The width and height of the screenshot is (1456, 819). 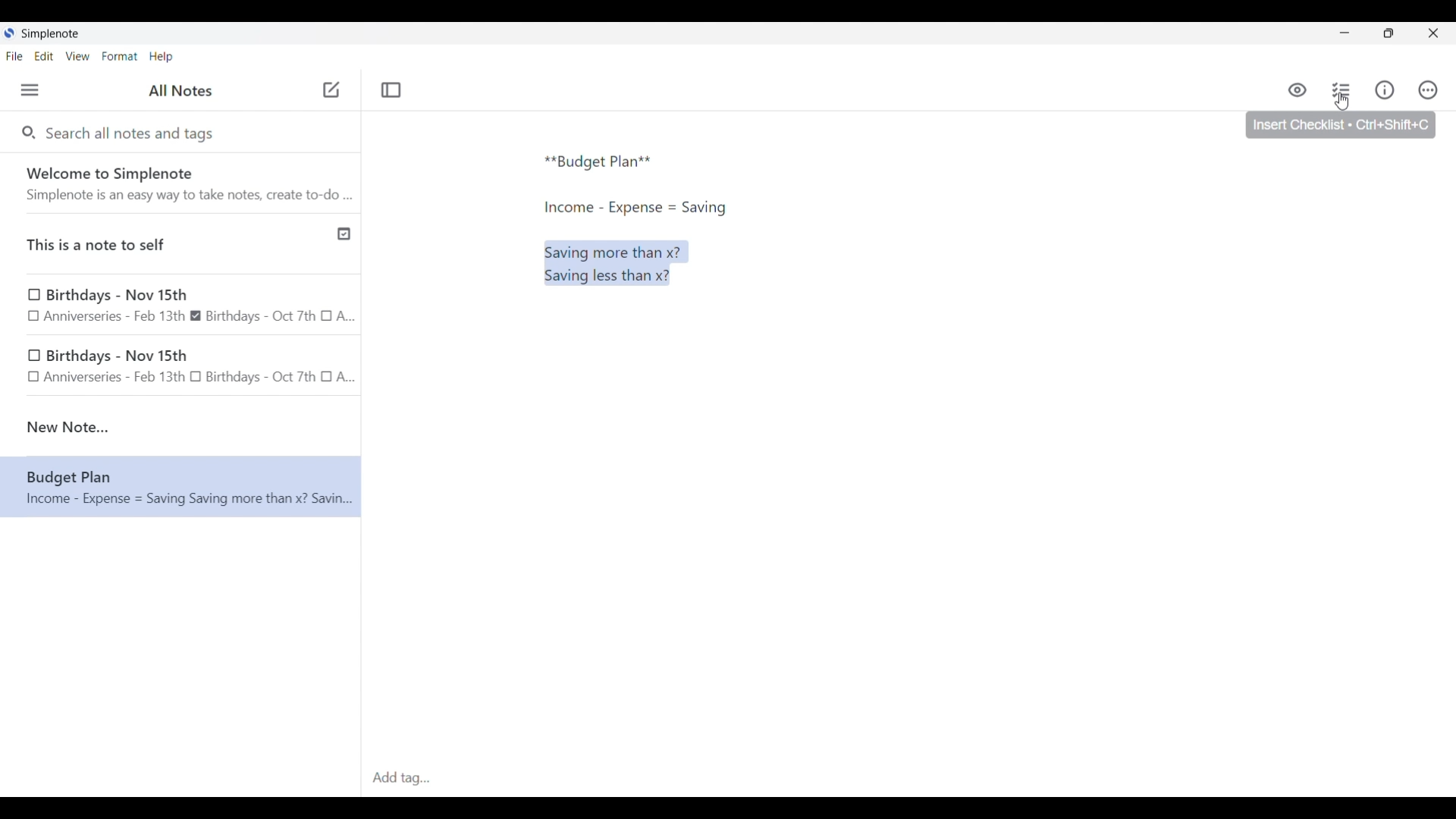 What do you see at coordinates (182, 244) in the screenshot?
I see `Published note indicated by check icon` at bounding box center [182, 244].